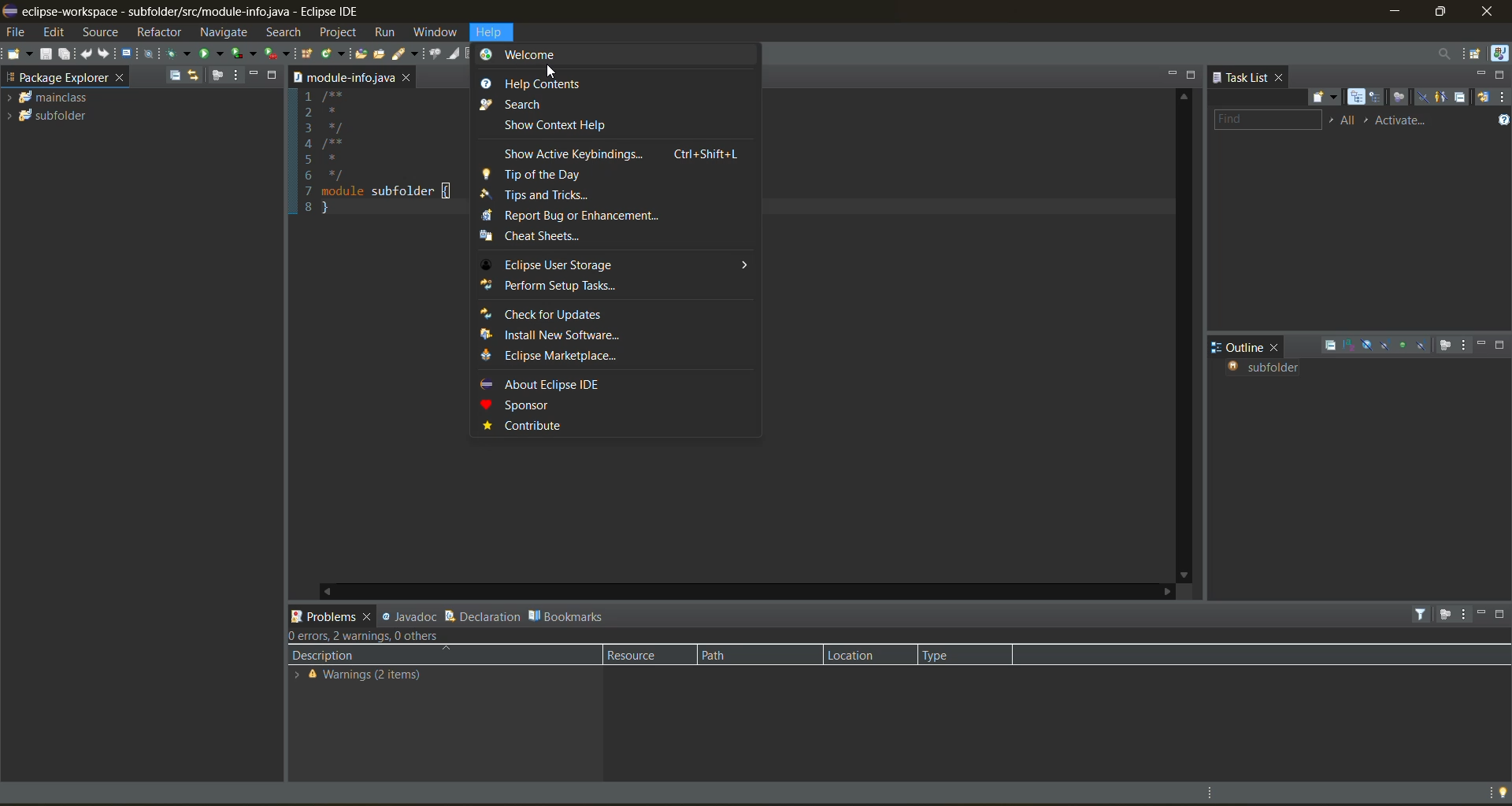 Image resolution: width=1512 pixels, height=806 pixels. Describe the element at coordinates (641, 656) in the screenshot. I see `resource` at that location.